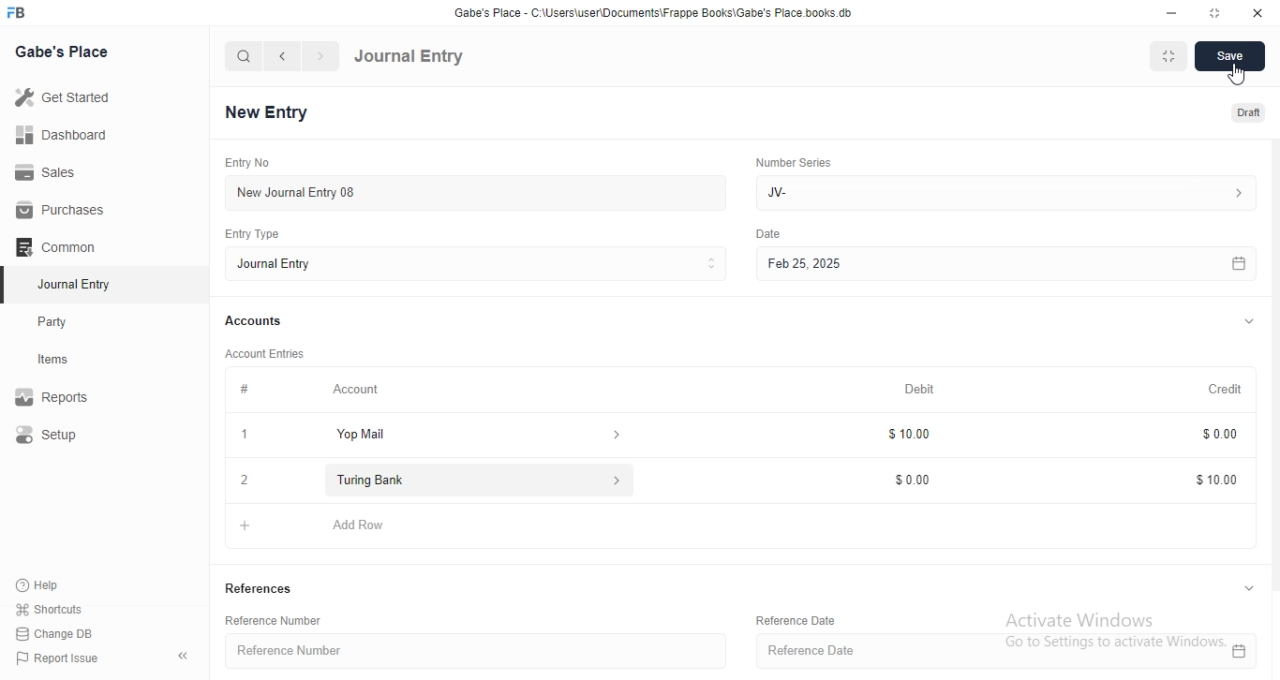 This screenshot has height=680, width=1280. I want to click on Account, so click(358, 391).